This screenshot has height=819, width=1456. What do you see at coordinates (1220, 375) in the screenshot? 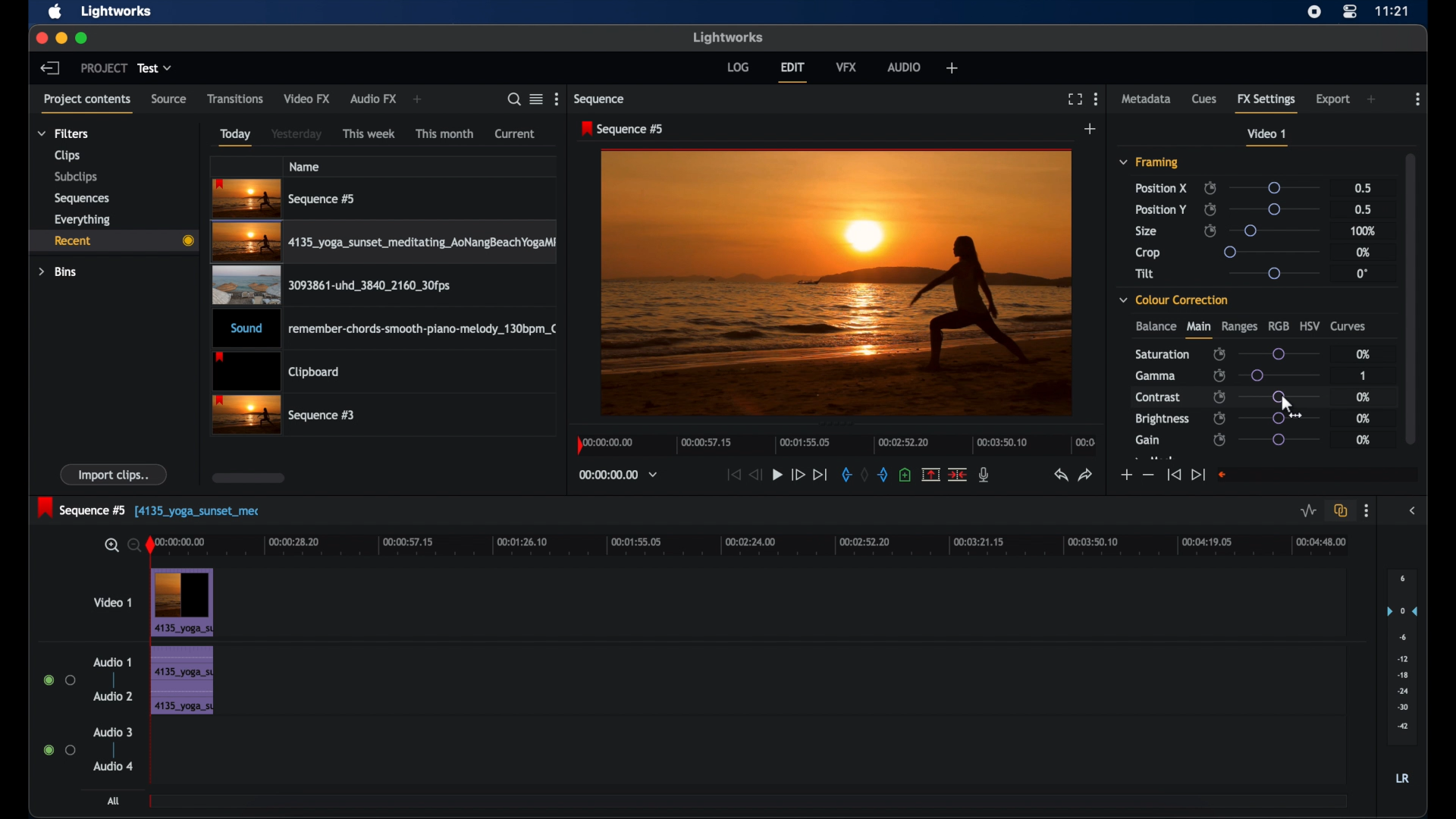
I see `enable/disable keyframes` at bounding box center [1220, 375].